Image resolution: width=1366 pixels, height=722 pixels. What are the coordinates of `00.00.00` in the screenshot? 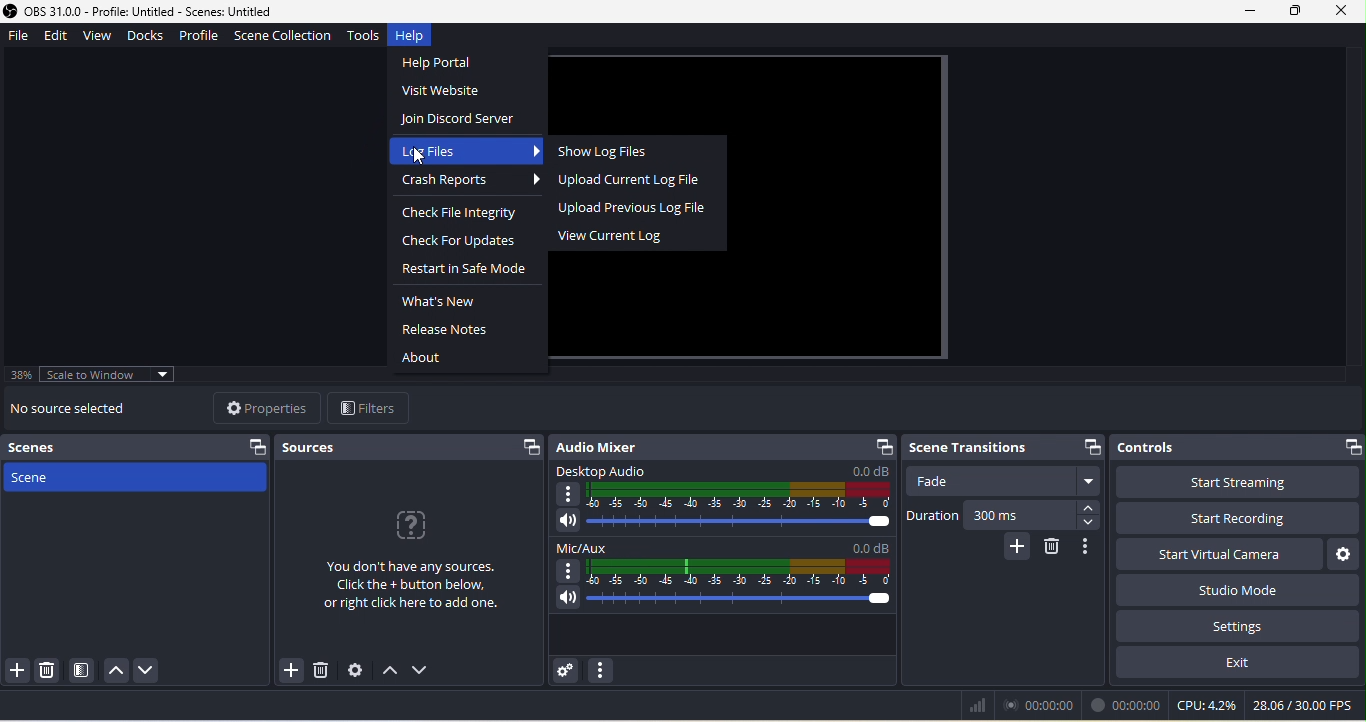 It's located at (1131, 705).